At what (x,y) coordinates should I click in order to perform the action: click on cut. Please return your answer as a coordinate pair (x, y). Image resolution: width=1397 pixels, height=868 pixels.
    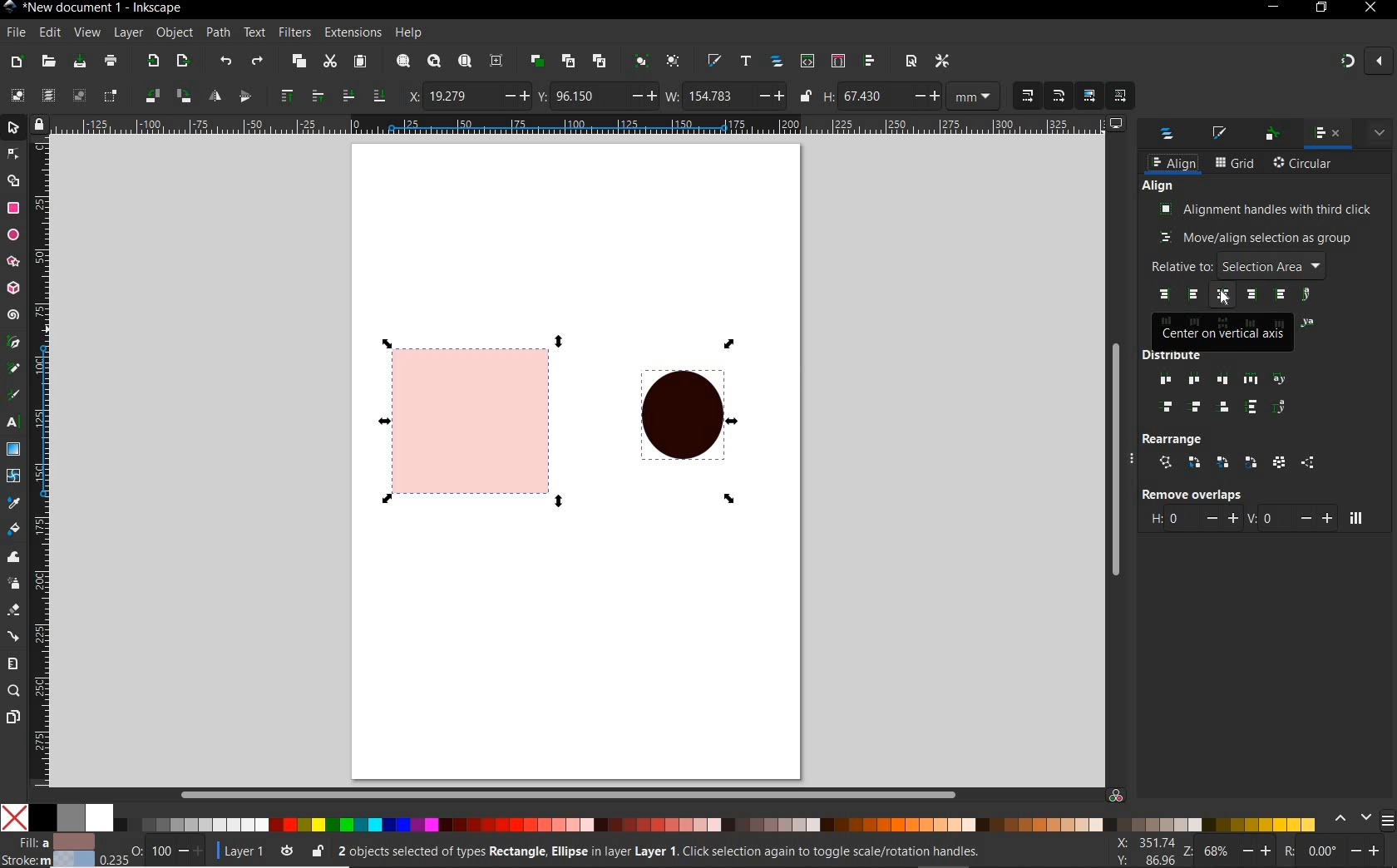
    Looking at the image, I should click on (330, 61).